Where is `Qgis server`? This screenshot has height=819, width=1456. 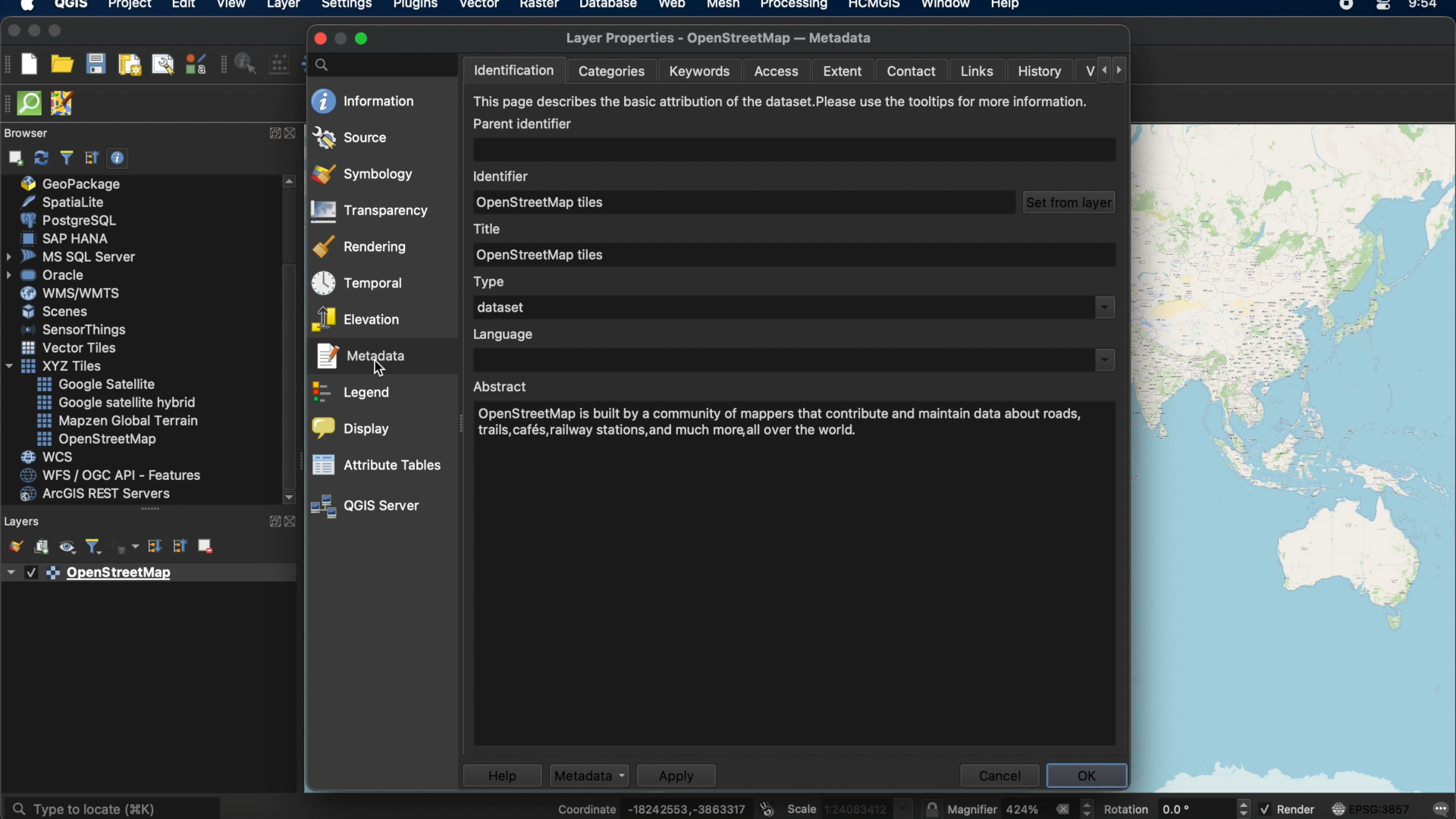
Qgis server is located at coordinates (367, 507).